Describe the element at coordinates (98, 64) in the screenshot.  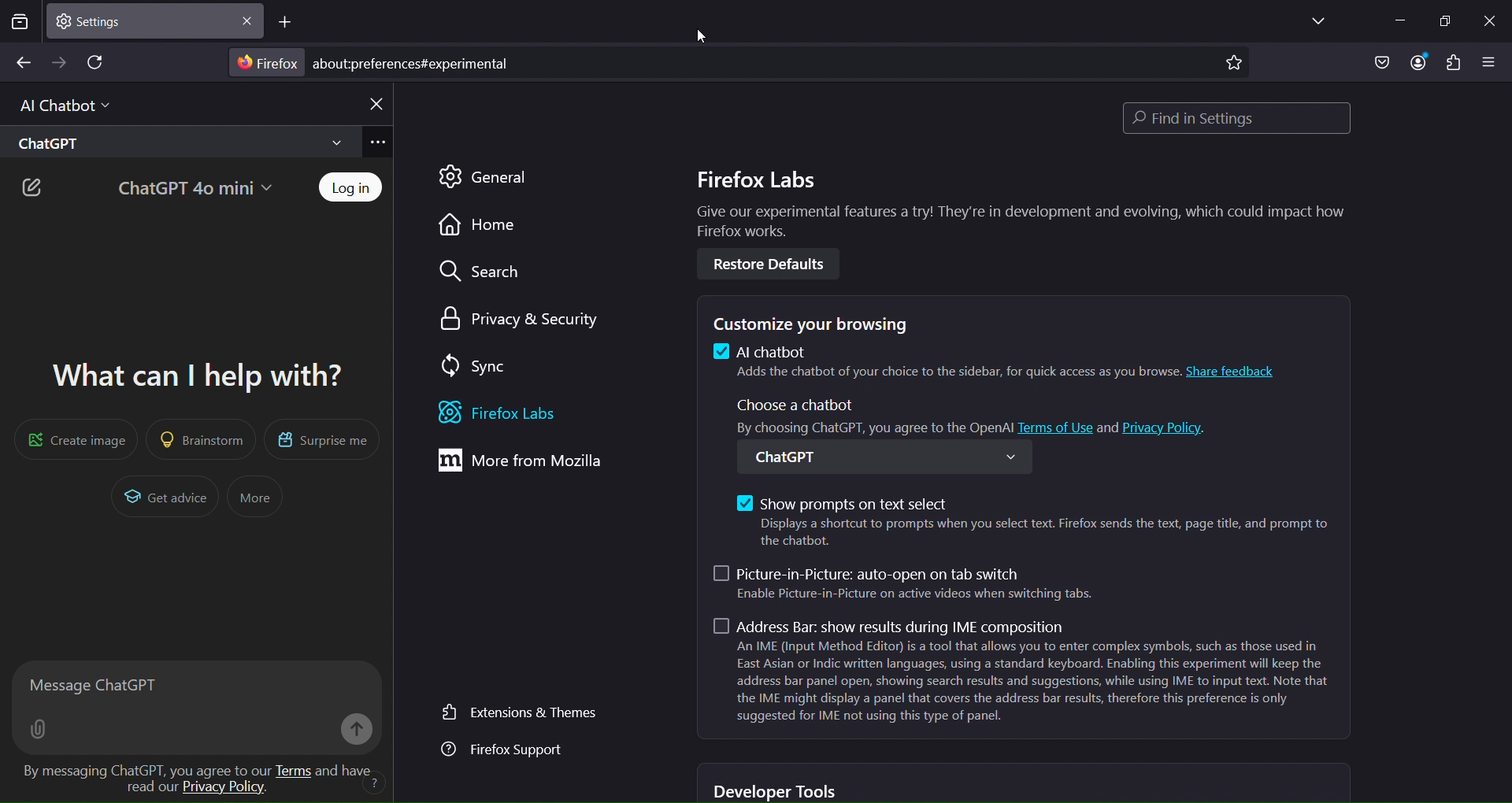
I see `reload page` at that location.